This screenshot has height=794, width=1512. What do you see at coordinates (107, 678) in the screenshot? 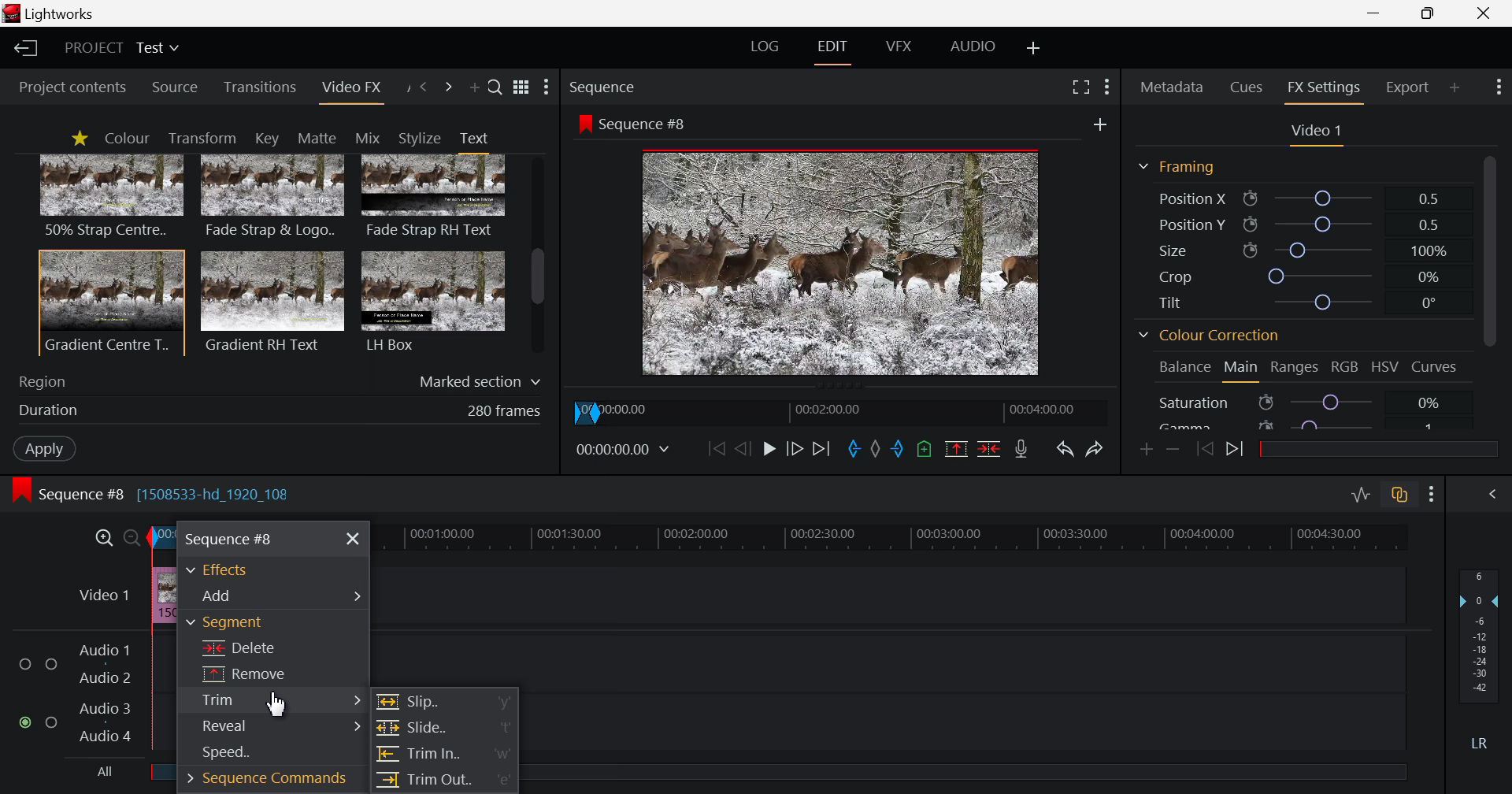
I see `audio 2` at bounding box center [107, 678].